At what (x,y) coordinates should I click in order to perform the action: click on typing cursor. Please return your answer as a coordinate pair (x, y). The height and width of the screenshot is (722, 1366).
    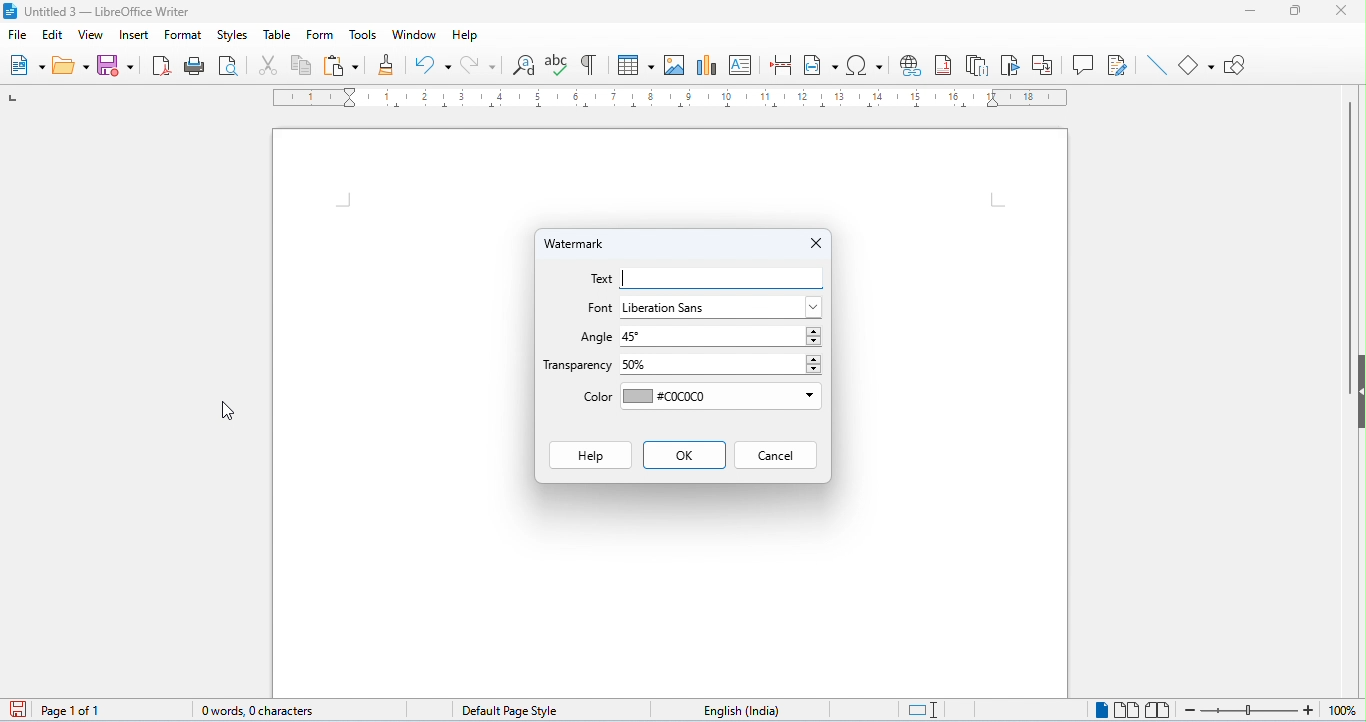
    Looking at the image, I should click on (626, 277).